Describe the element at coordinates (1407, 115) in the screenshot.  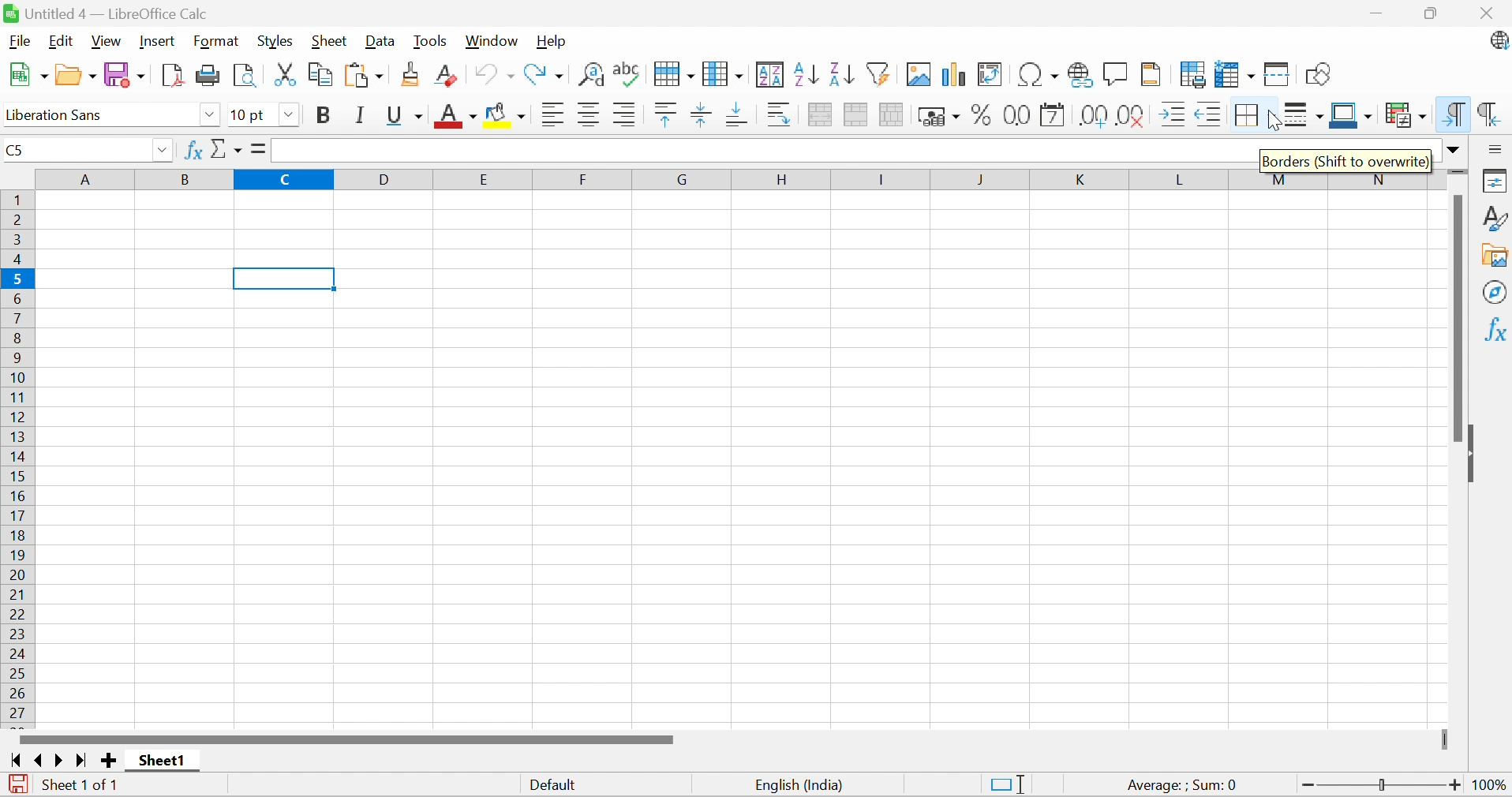
I see `Conditional` at that location.